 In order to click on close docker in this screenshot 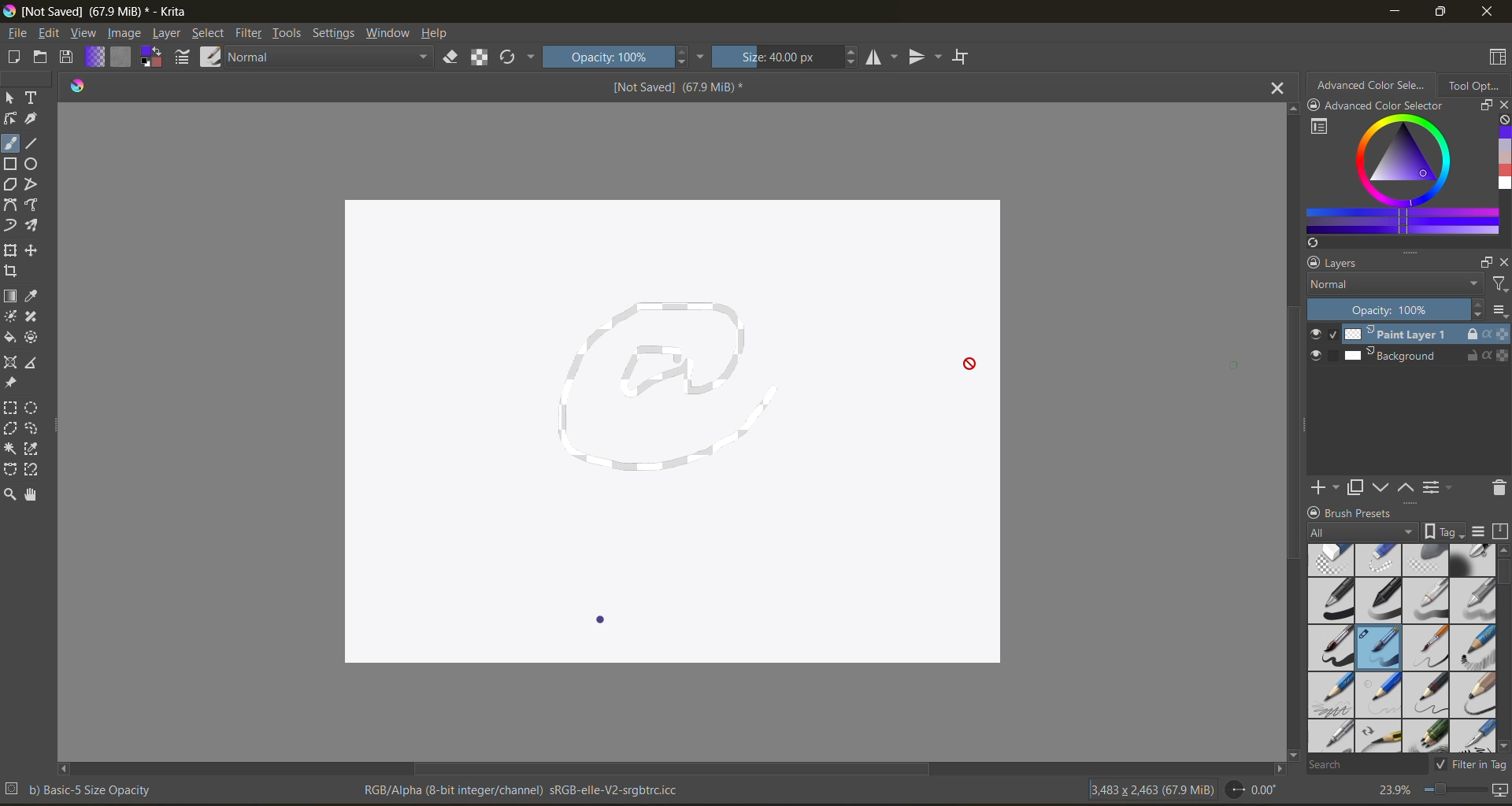, I will do `click(1503, 104)`.